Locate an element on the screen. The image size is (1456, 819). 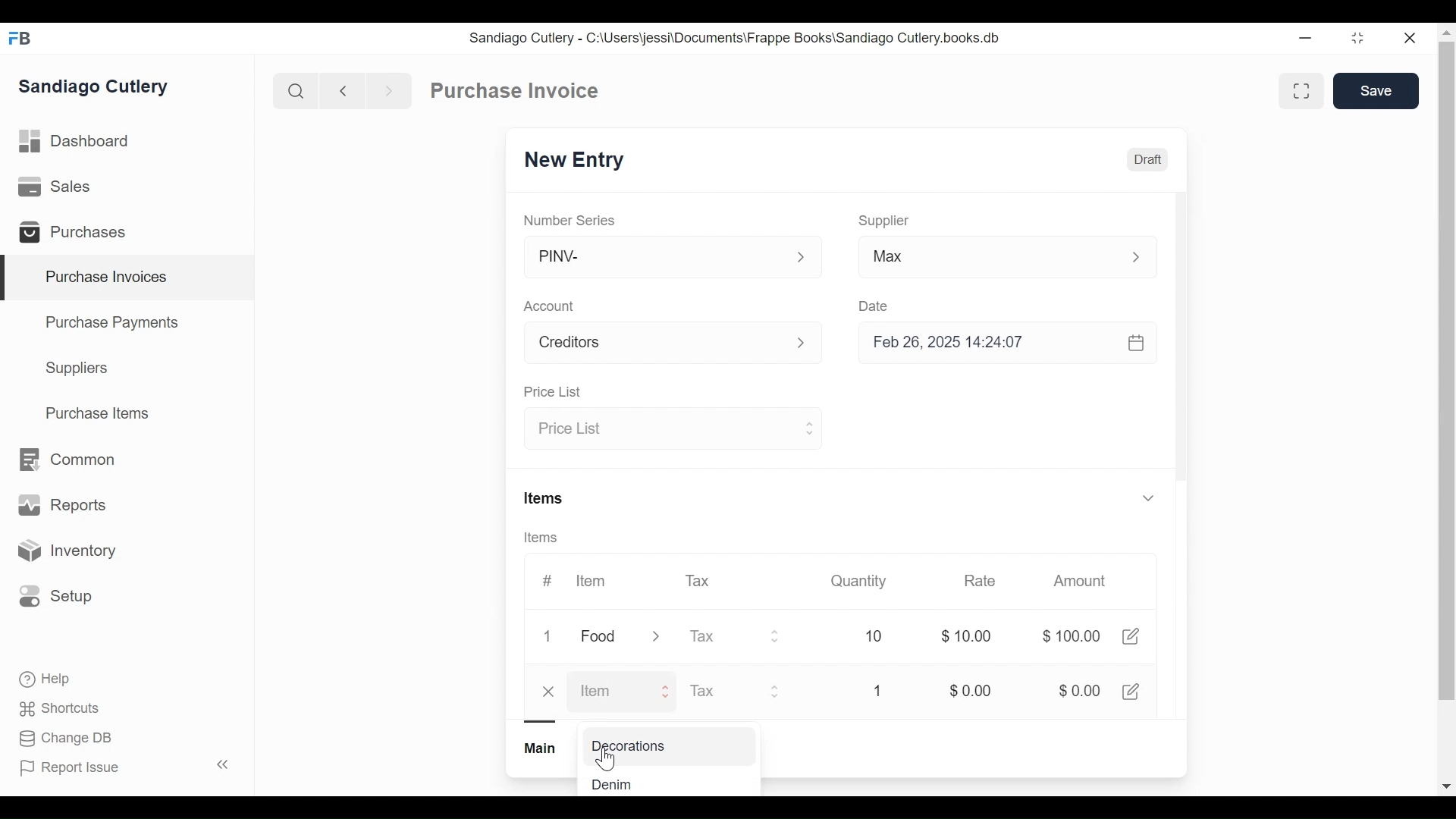
Max is located at coordinates (987, 259).